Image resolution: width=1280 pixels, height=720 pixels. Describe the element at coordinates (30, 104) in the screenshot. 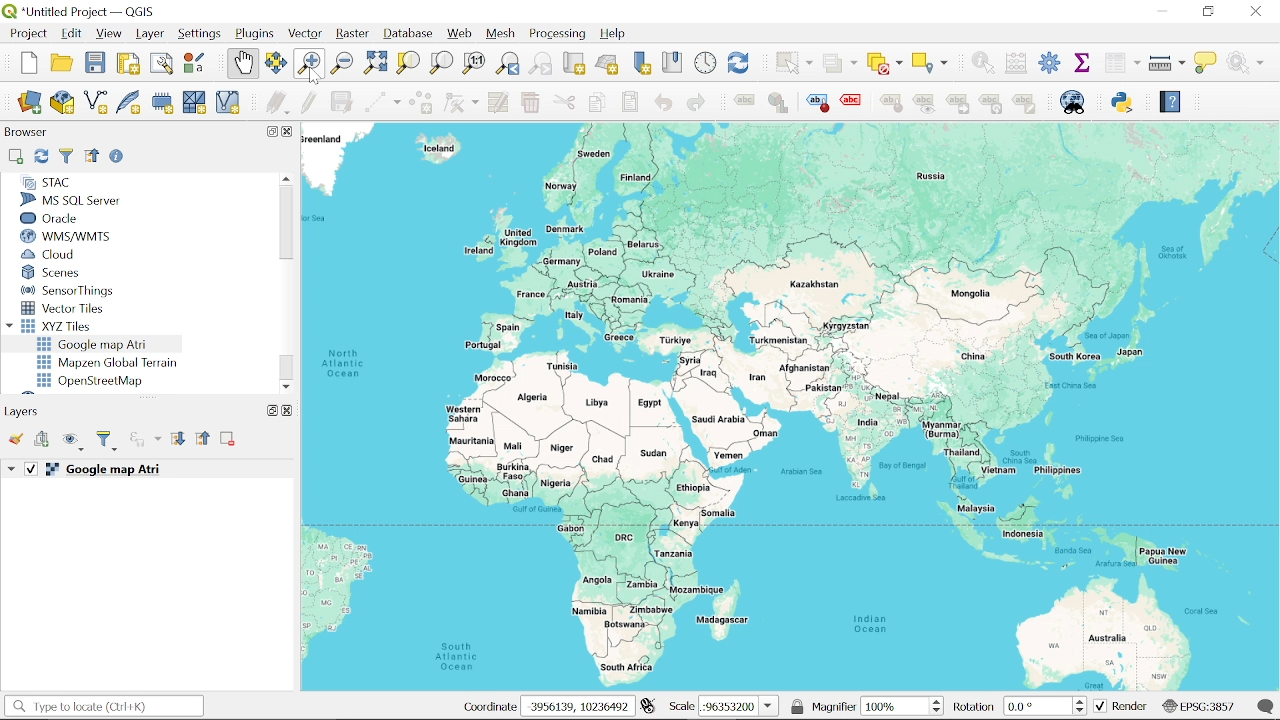

I see `Open data source mang` at that location.